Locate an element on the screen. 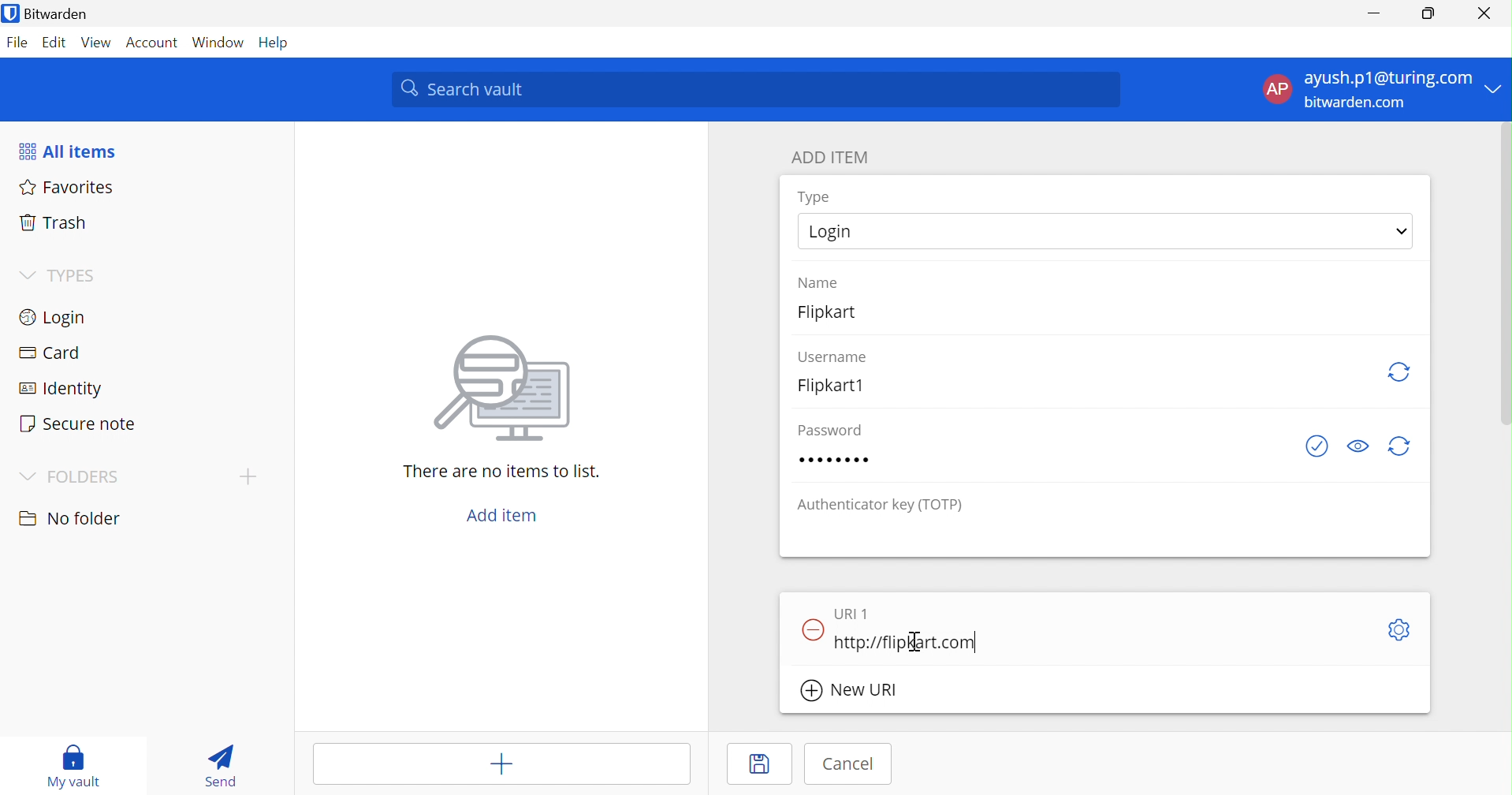 The height and width of the screenshot is (795, 1512). My vault is located at coordinates (76, 765).